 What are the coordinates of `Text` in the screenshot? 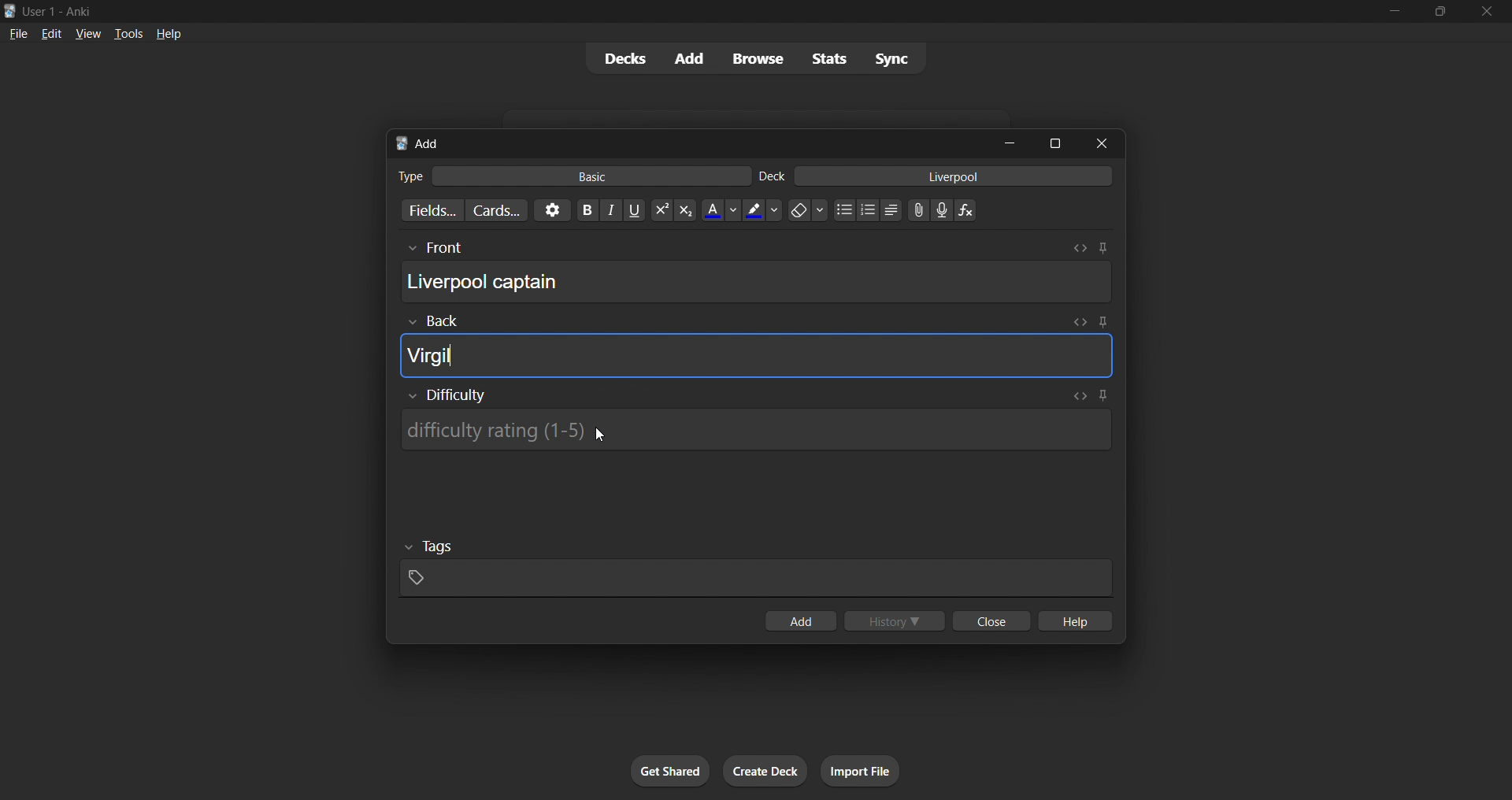 It's located at (409, 176).